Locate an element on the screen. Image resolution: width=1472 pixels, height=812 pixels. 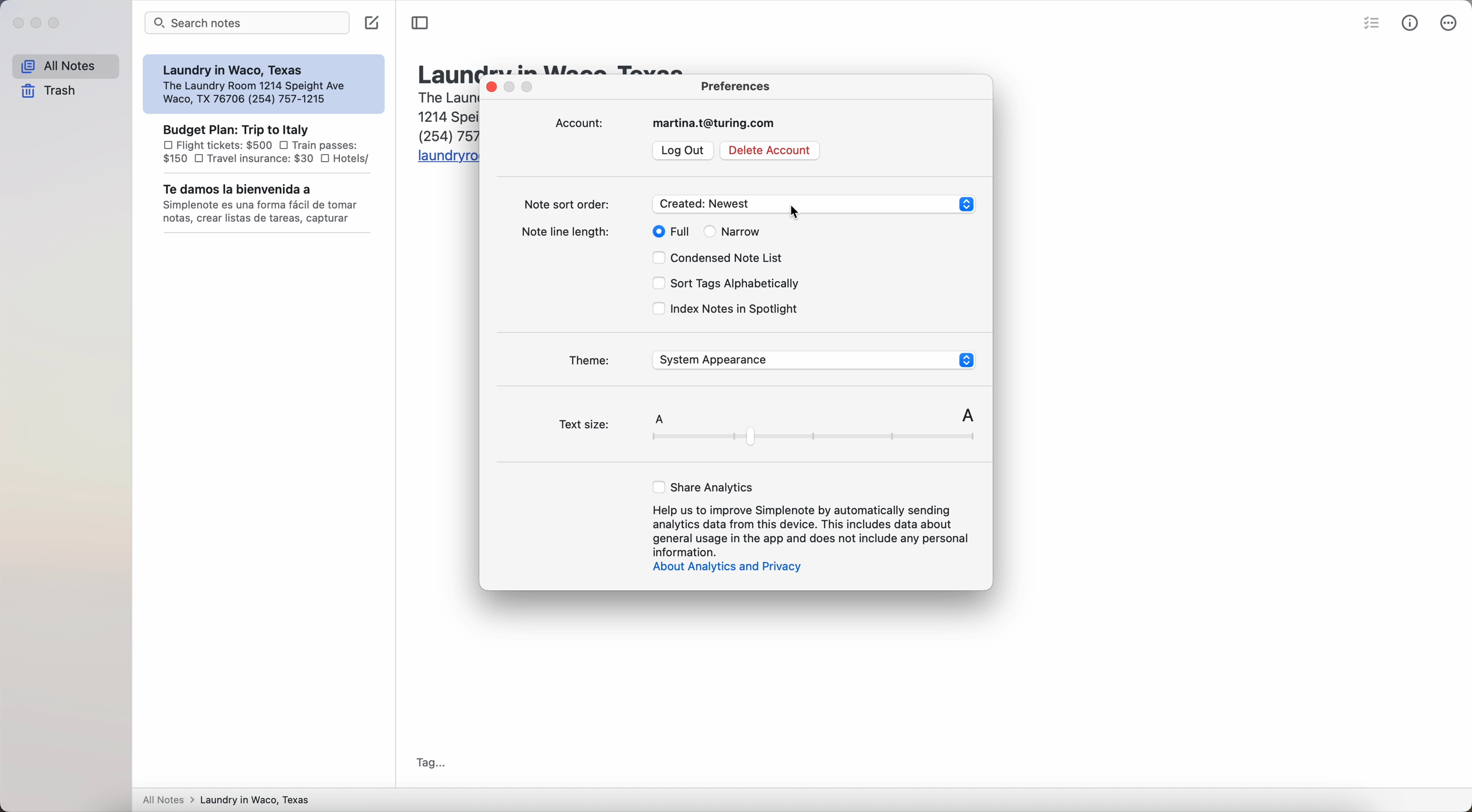
note sort order is located at coordinates (651, 202).